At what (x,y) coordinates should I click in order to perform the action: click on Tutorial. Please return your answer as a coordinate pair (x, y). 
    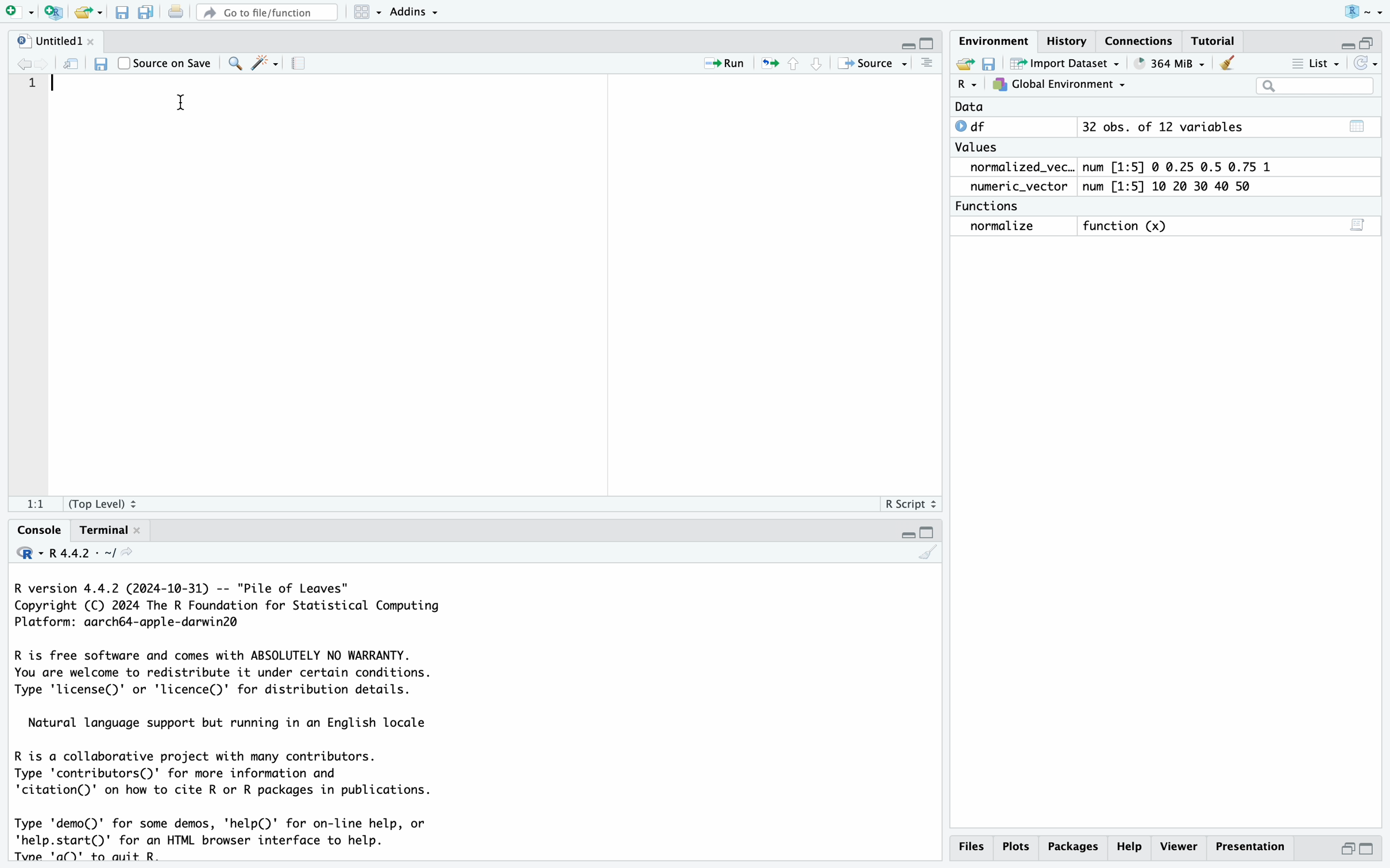
    Looking at the image, I should click on (1213, 42).